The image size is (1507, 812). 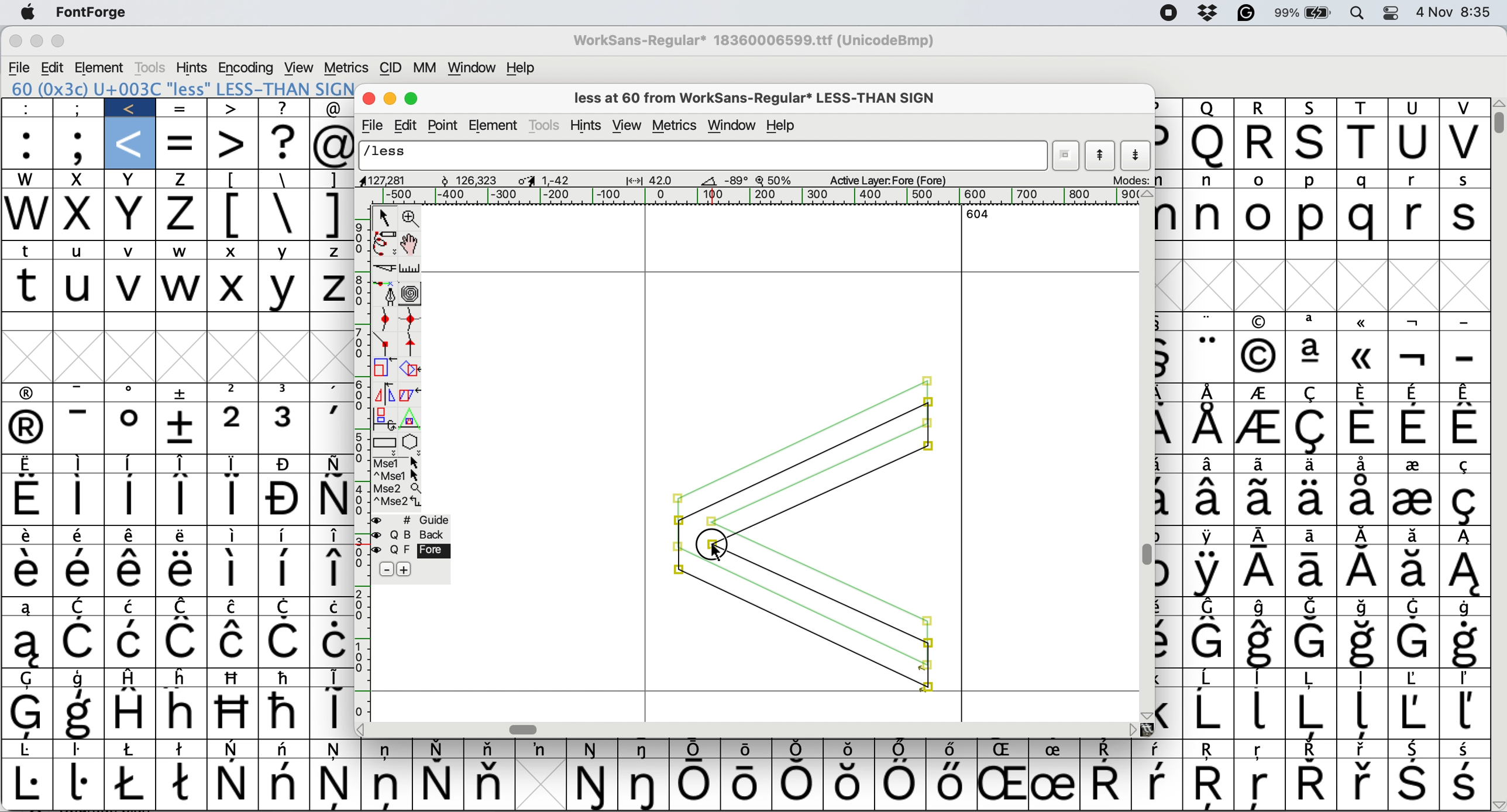 I want to click on Symbol, so click(x=1209, y=464).